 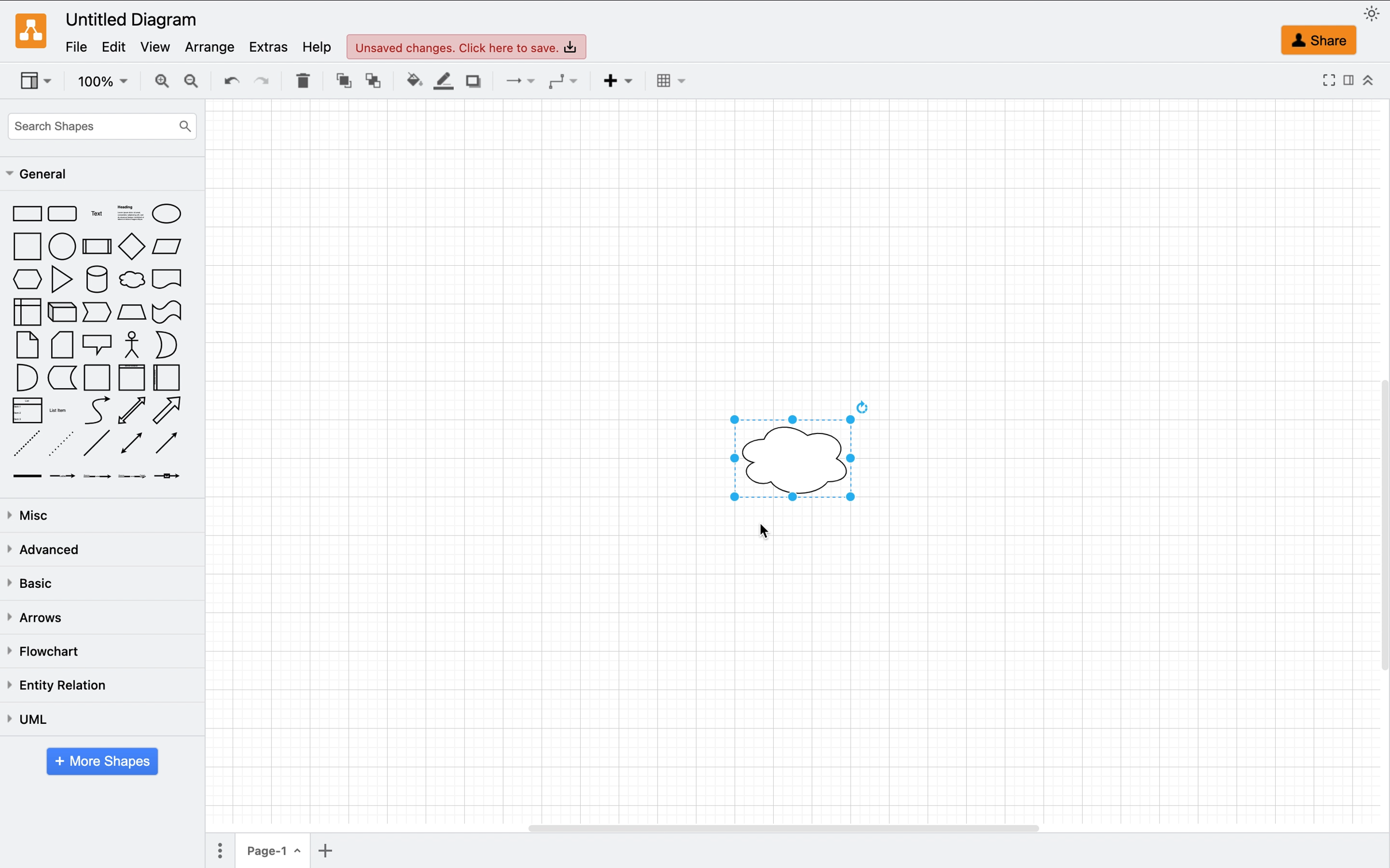 What do you see at coordinates (175, 411) in the screenshot?
I see `directional arrow` at bounding box center [175, 411].